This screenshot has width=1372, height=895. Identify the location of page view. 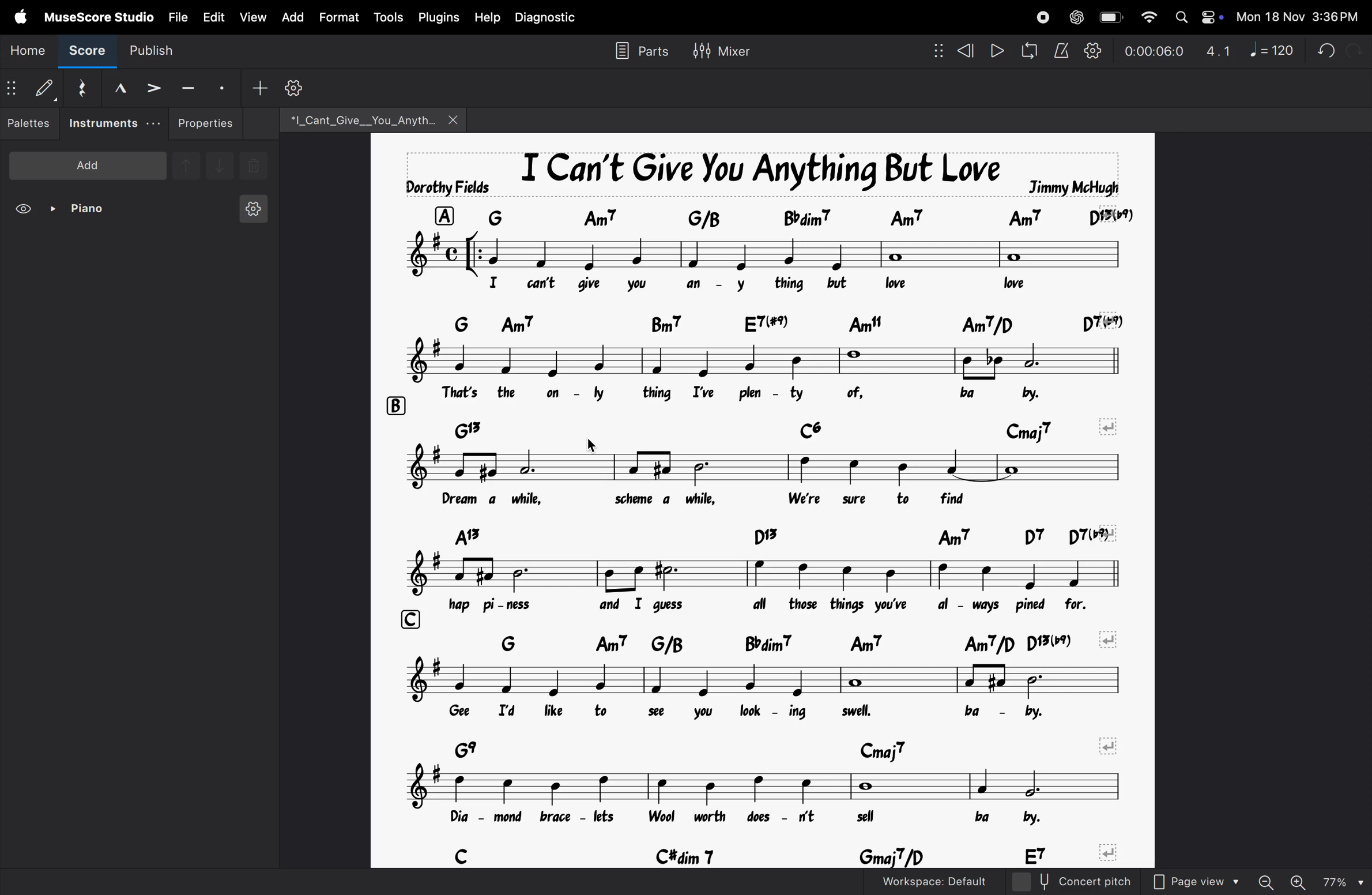
(1195, 881).